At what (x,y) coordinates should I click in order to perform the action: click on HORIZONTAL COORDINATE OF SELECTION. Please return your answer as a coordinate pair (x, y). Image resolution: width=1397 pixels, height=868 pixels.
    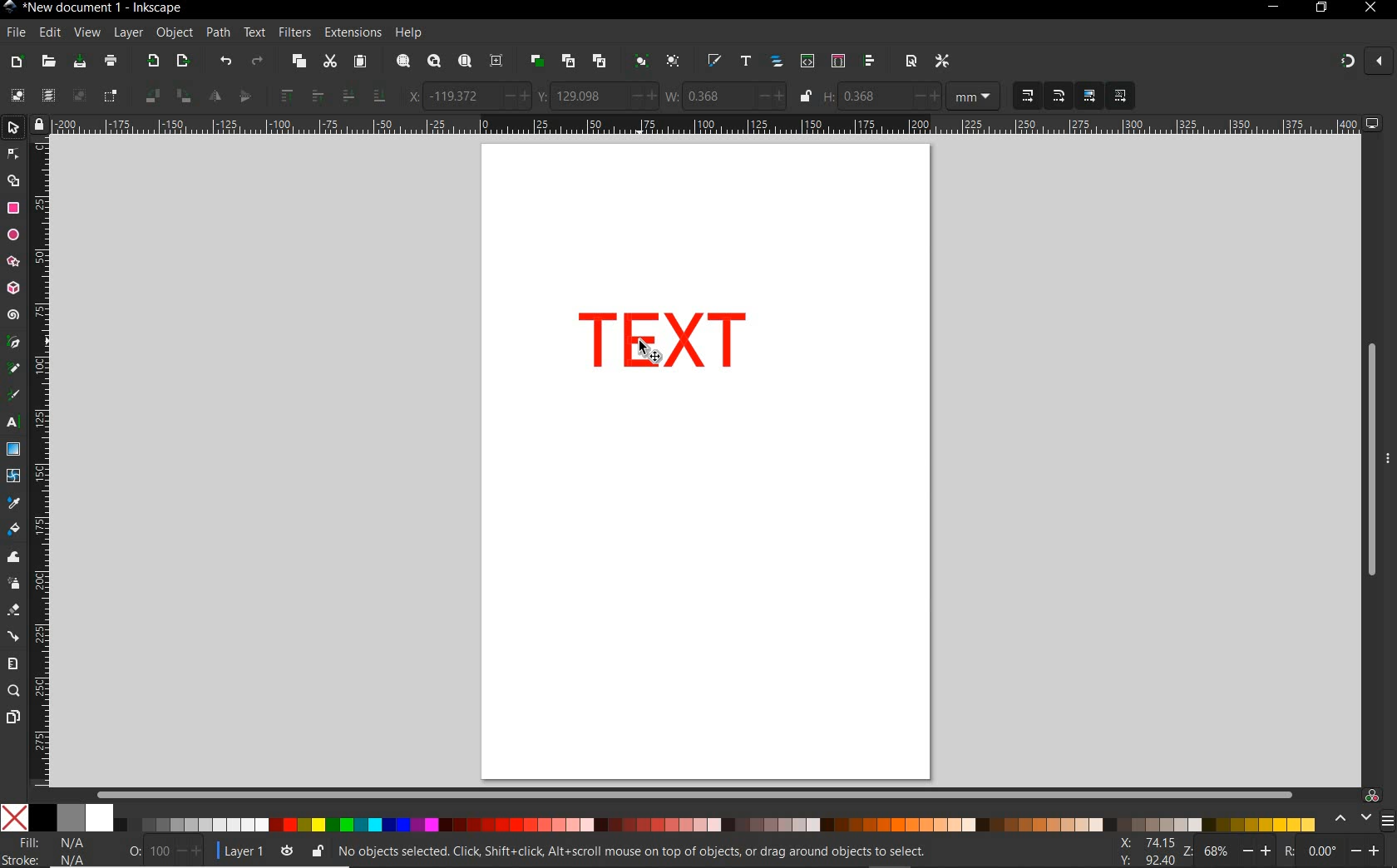
    Looking at the image, I should click on (469, 96).